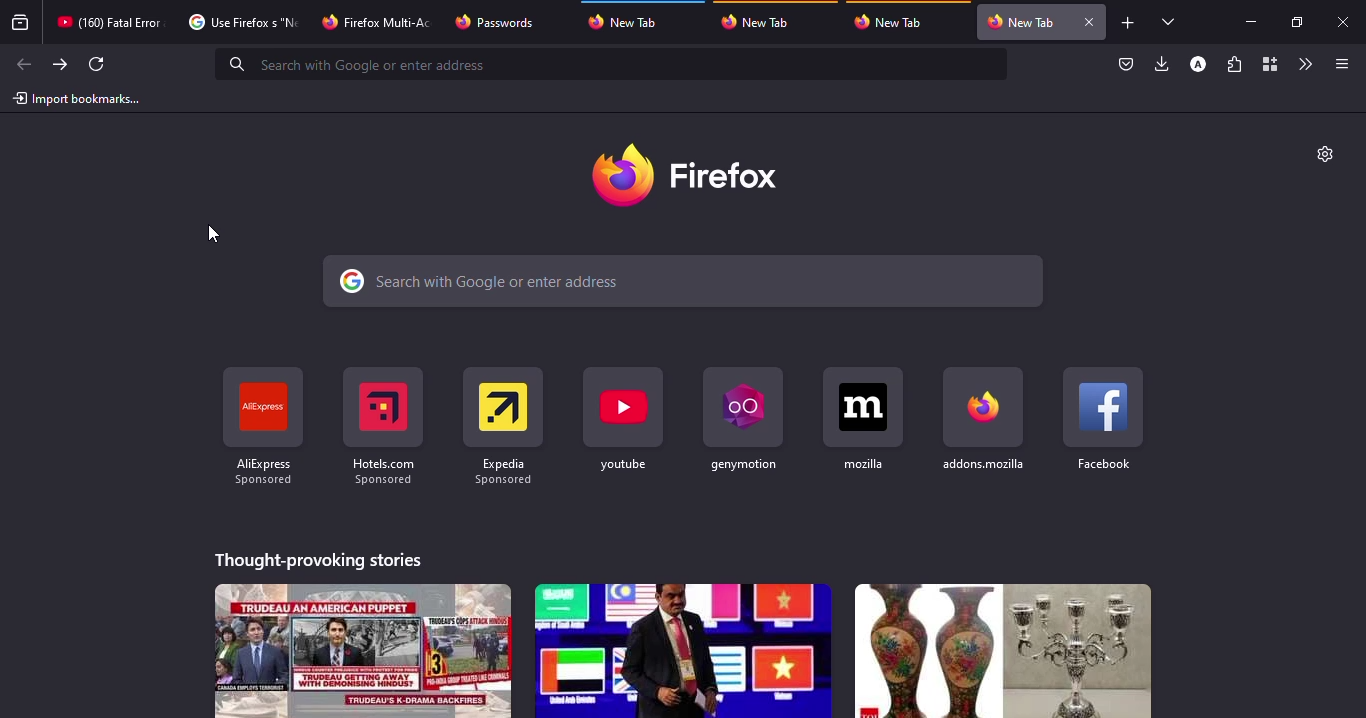 The width and height of the screenshot is (1366, 718). I want to click on downloads, so click(1162, 64).